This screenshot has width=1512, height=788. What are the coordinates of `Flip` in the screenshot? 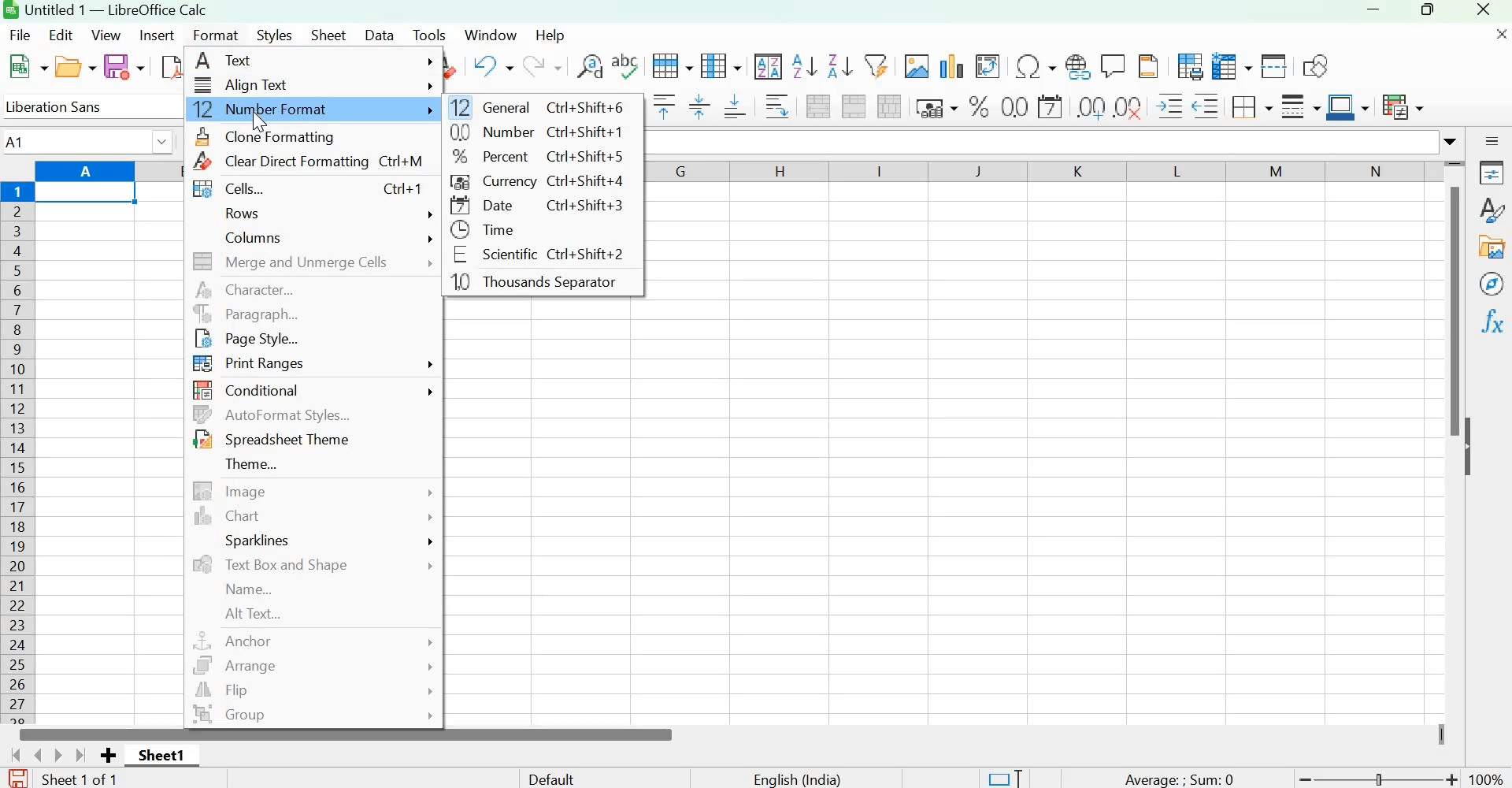 It's located at (226, 691).